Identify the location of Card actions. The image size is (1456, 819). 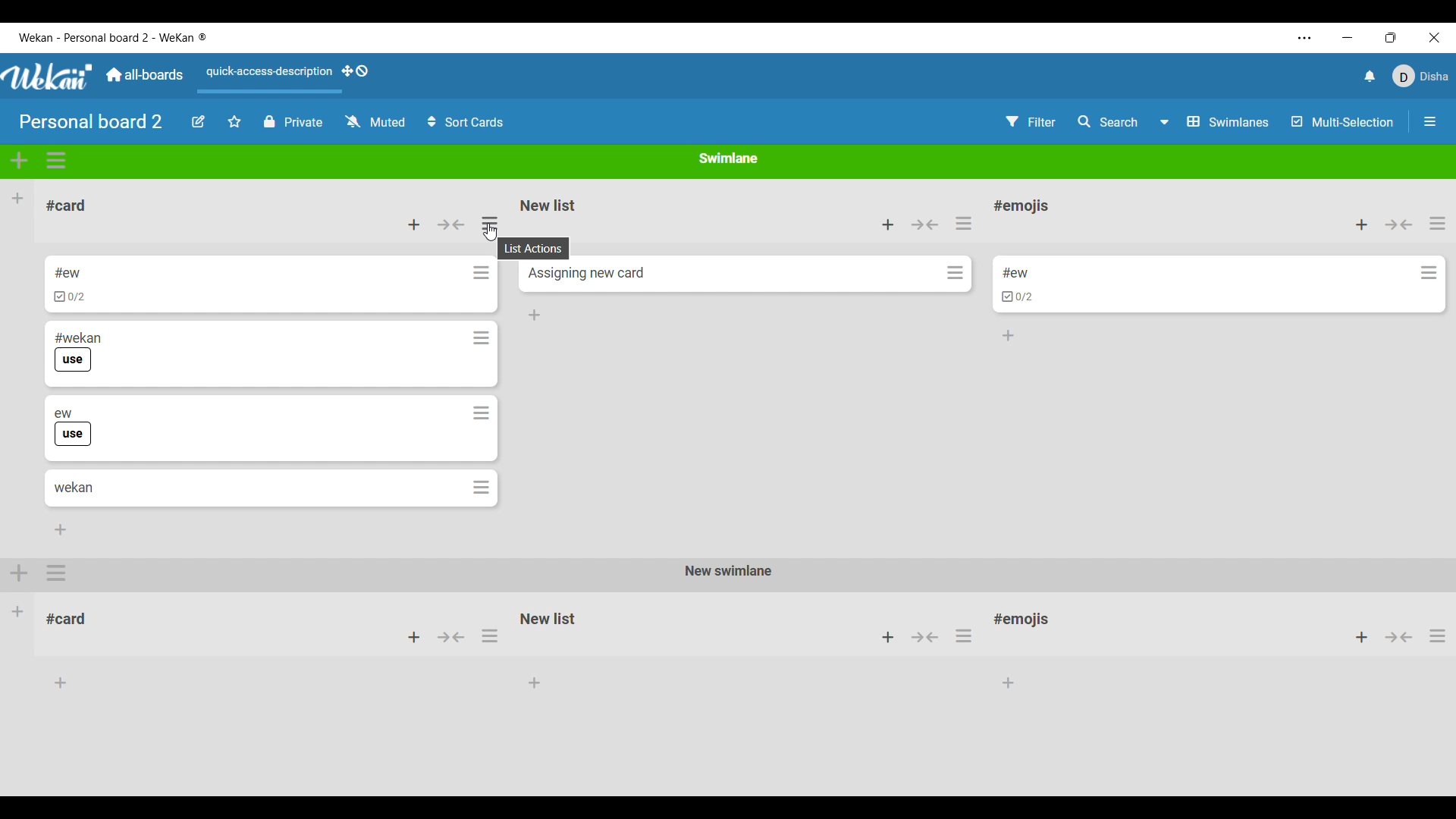
(955, 272).